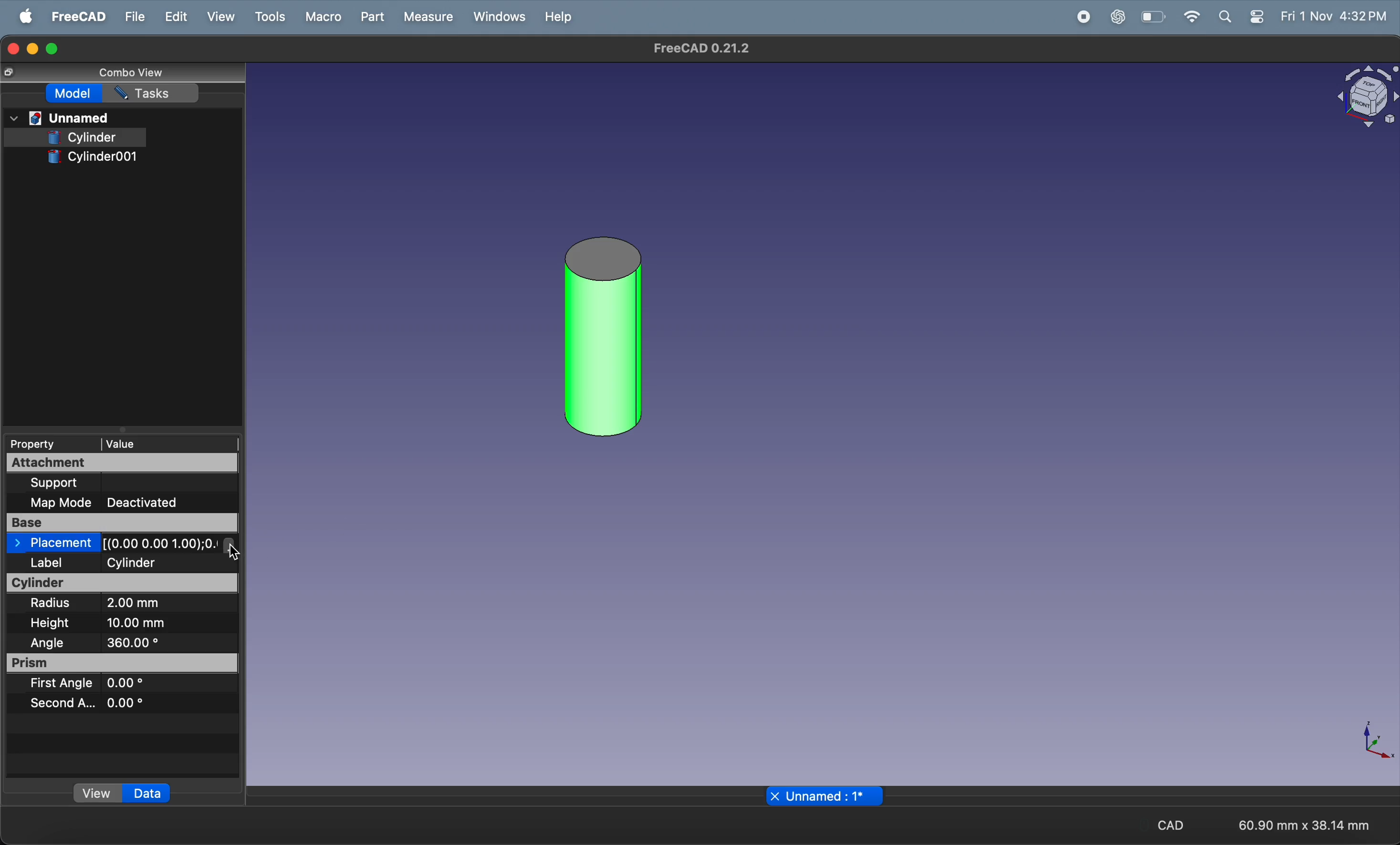 This screenshot has height=845, width=1400. Describe the element at coordinates (161, 562) in the screenshot. I see `cylinder` at that location.